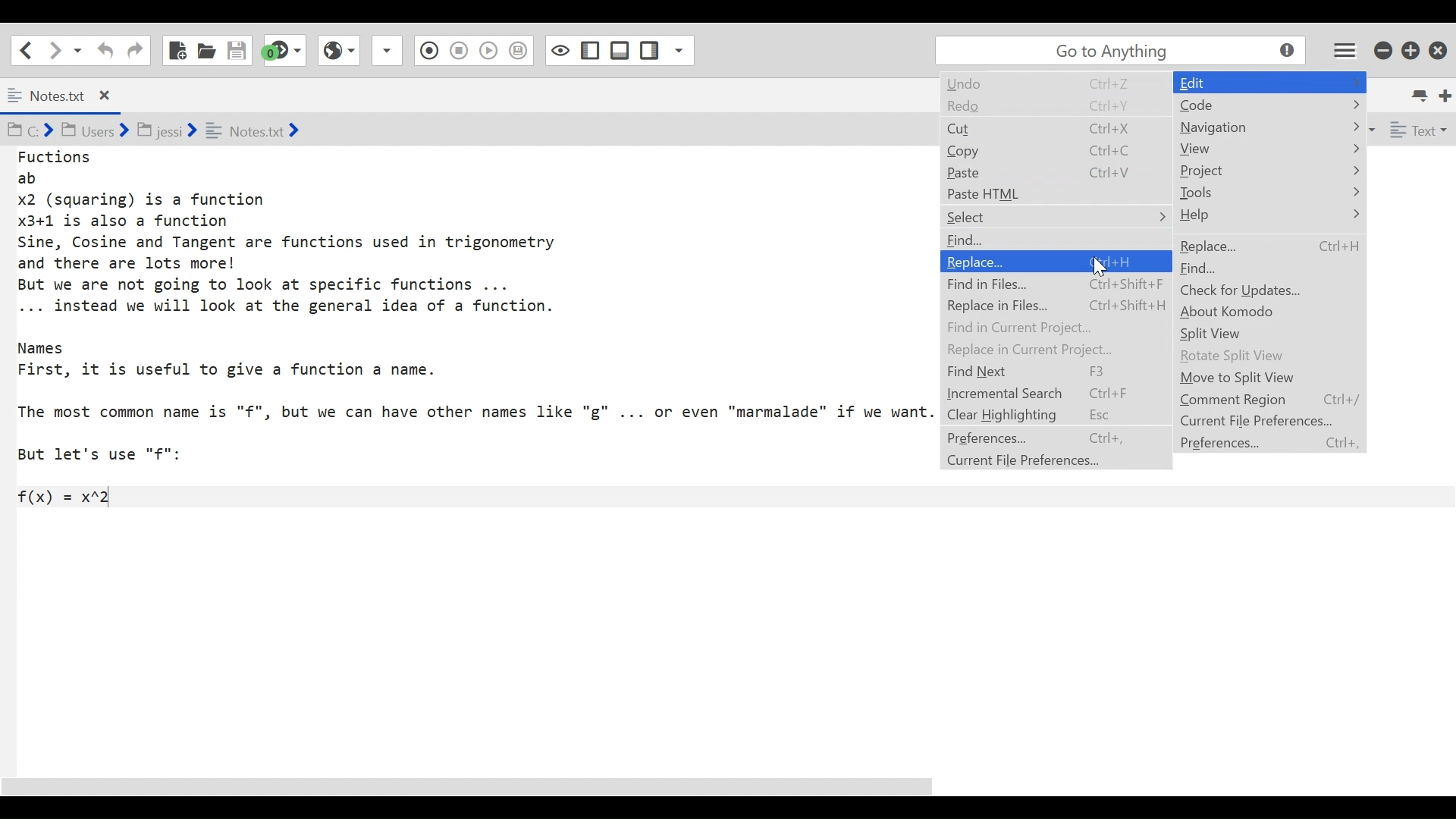 The width and height of the screenshot is (1456, 819). Describe the element at coordinates (1040, 149) in the screenshot. I see `Copy` at that location.